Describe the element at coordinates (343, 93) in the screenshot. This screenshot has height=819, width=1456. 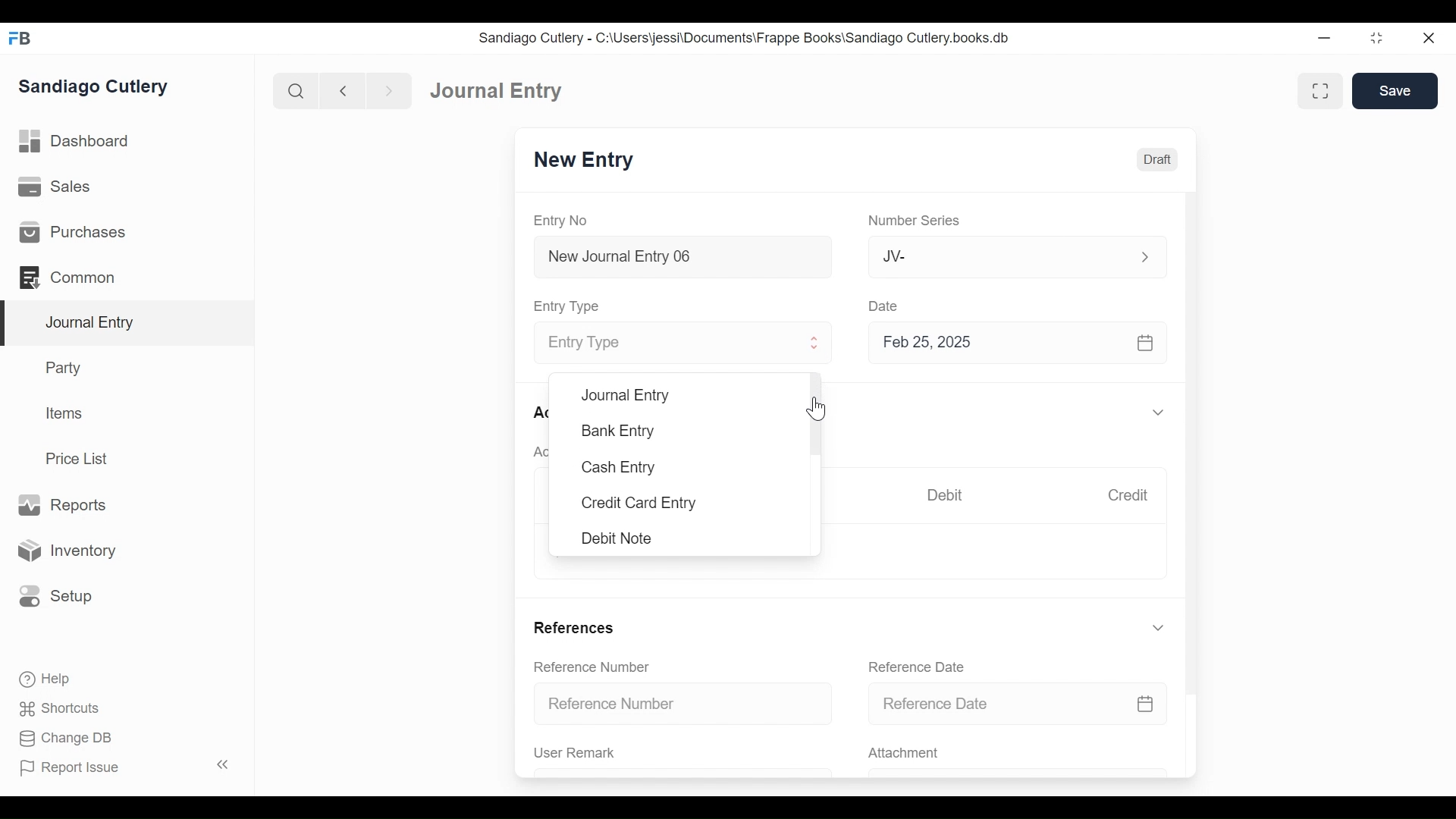
I see `Navigate back` at that location.